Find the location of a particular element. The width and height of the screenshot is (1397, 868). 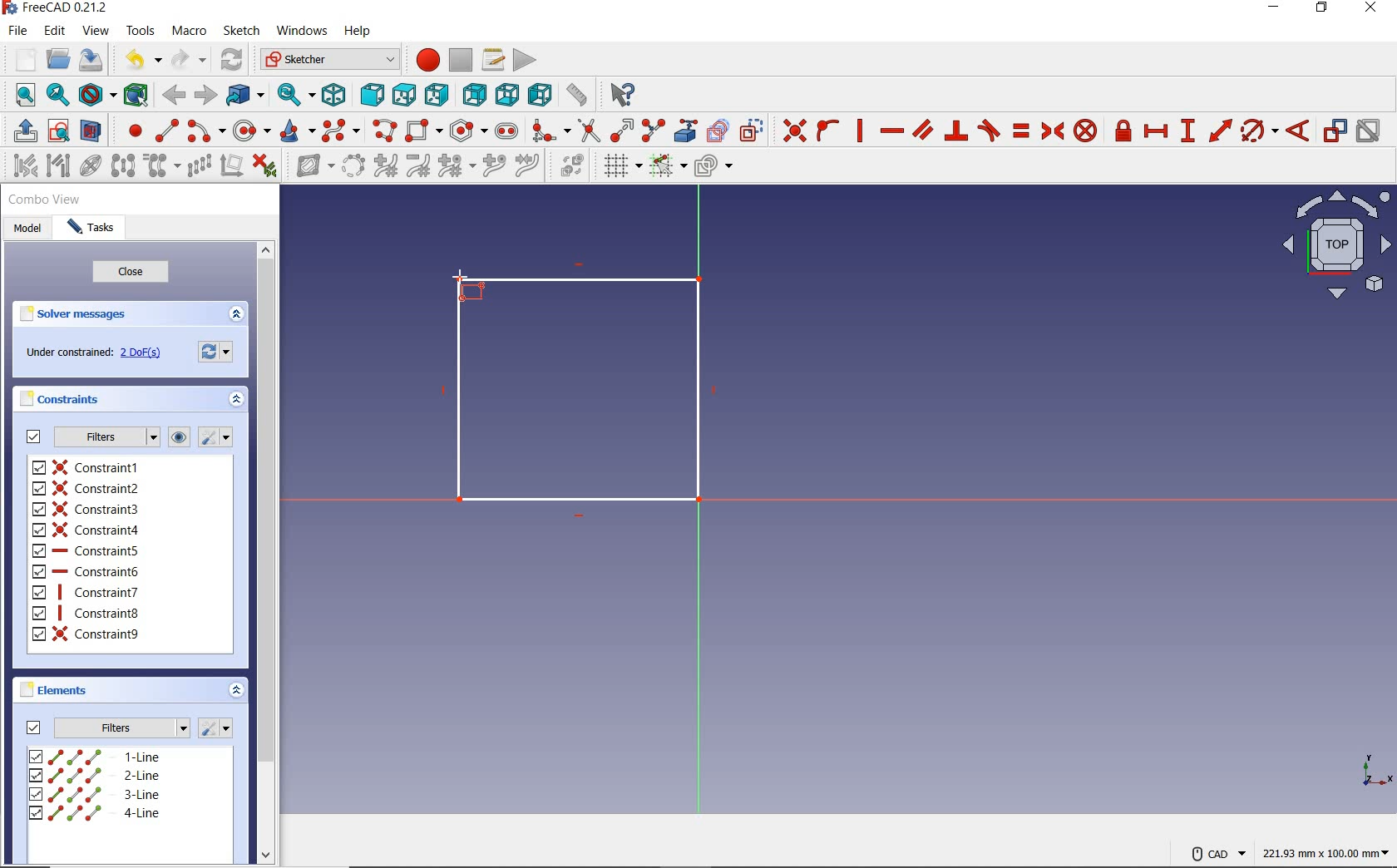

tasks is located at coordinates (96, 229).